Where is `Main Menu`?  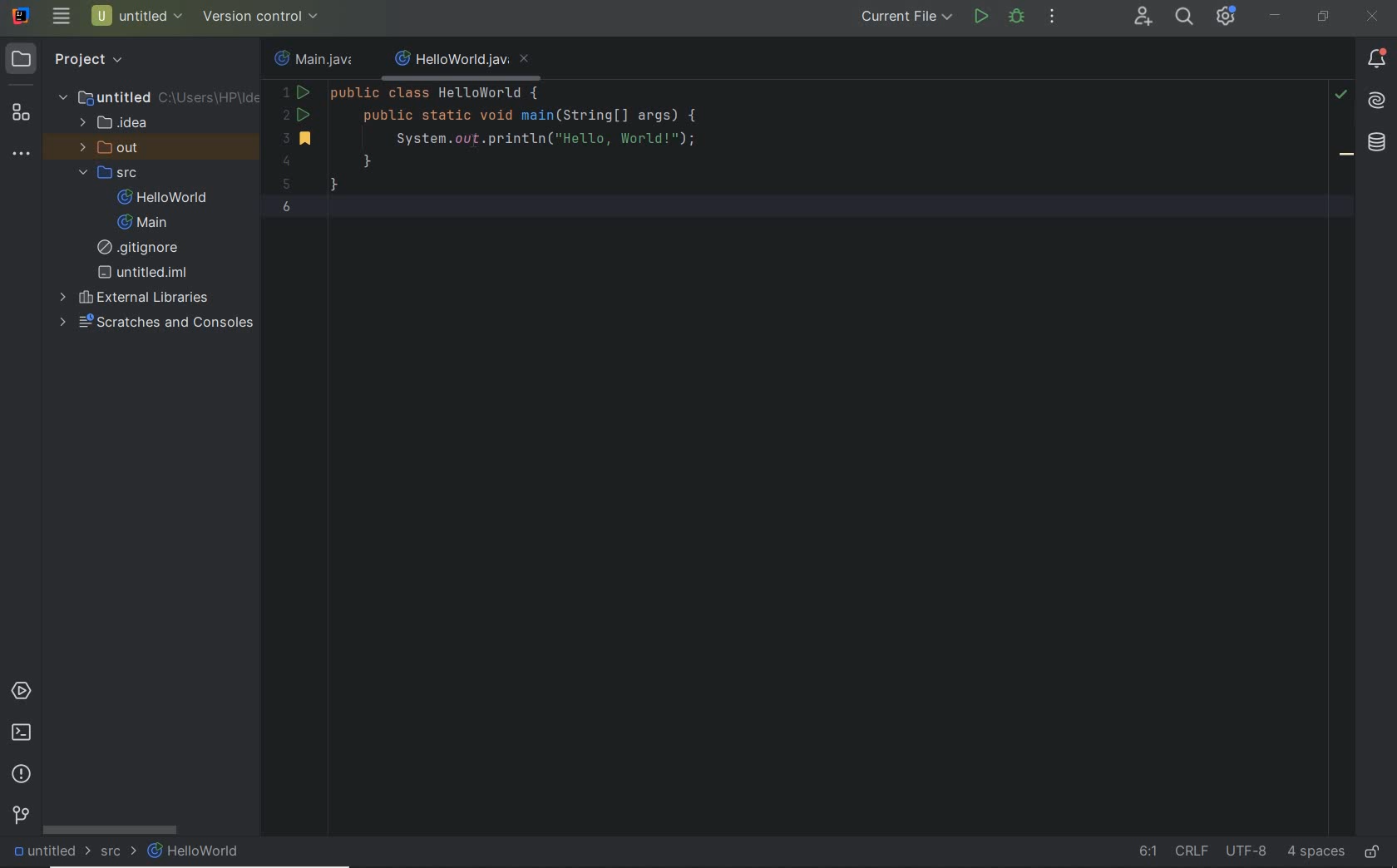 Main Menu is located at coordinates (61, 16).